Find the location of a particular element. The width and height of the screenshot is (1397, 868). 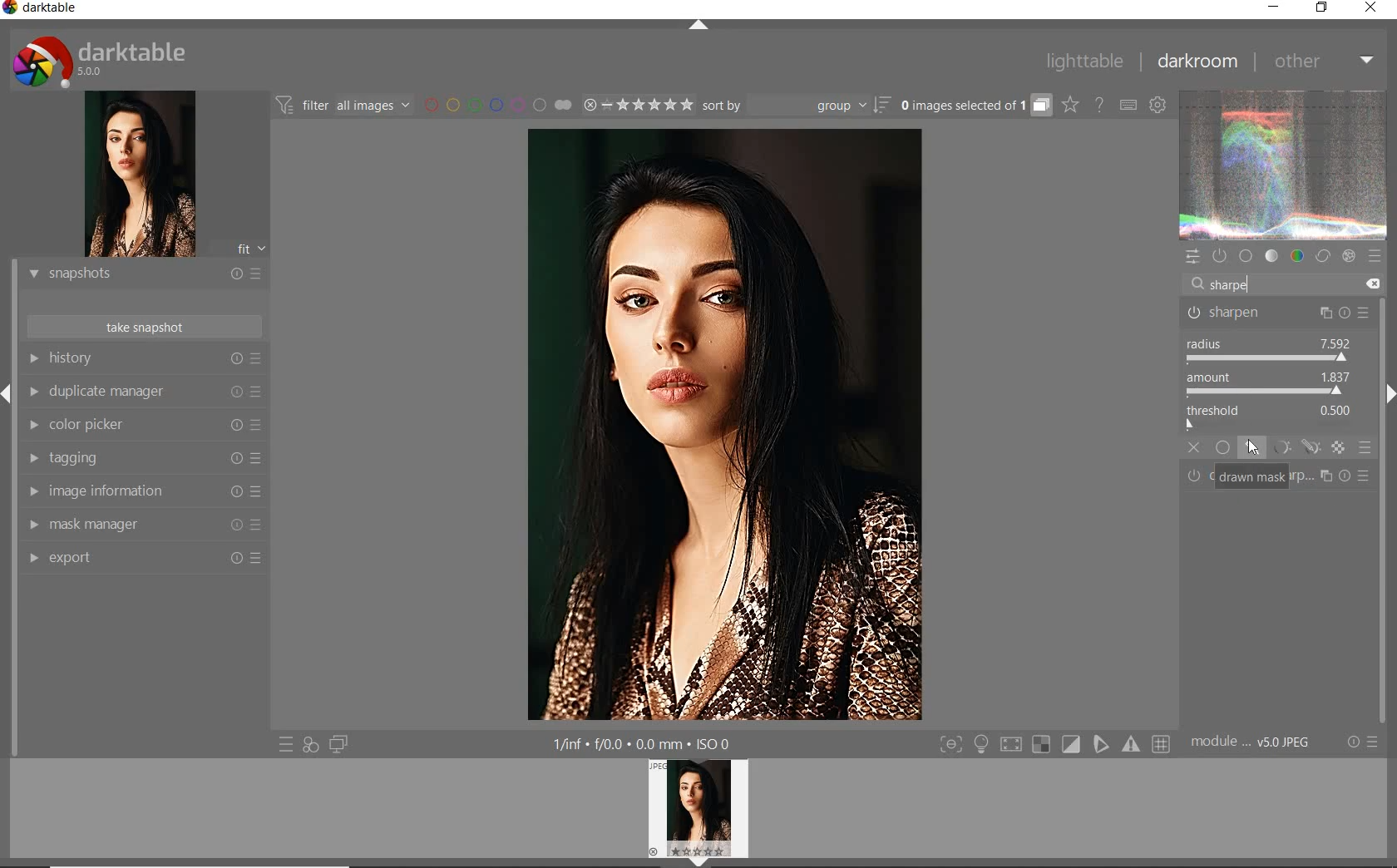

CLOSE is located at coordinates (1373, 8).